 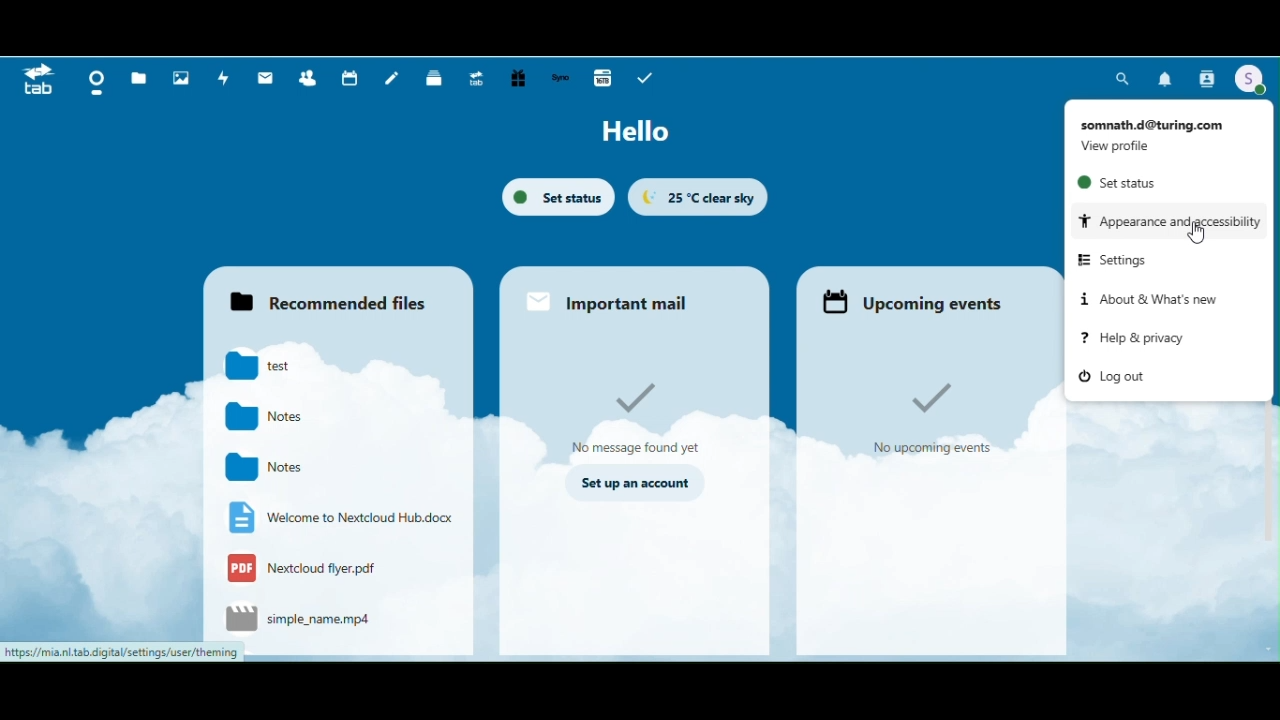 What do you see at coordinates (300, 620) in the screenshot?
I see `simple_name.mp4` at bounding box center [300, 620].